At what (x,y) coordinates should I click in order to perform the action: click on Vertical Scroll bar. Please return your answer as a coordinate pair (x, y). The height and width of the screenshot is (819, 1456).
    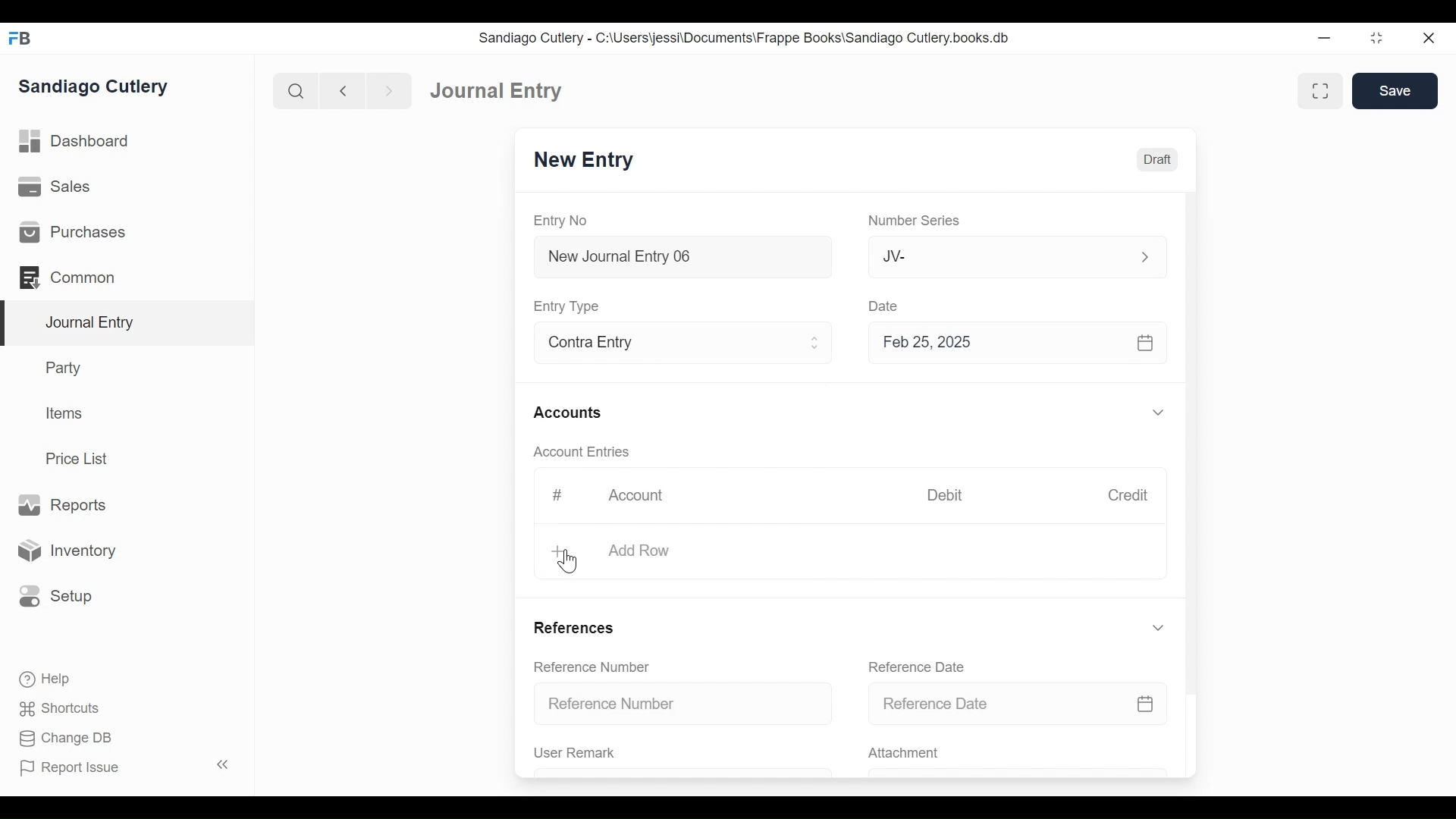
    Looking at the image, I should click on (1193, 431).